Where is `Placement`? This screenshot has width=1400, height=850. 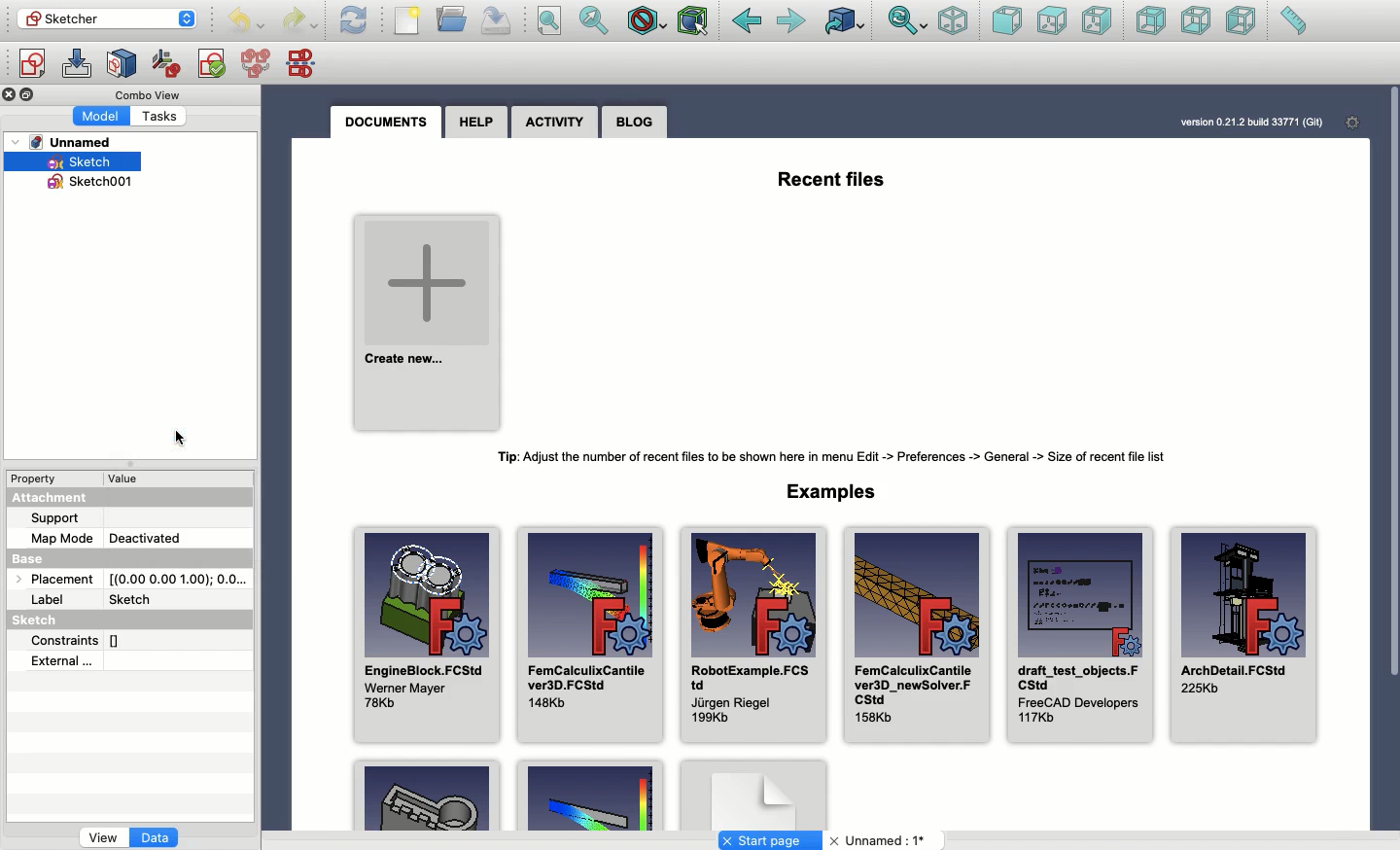
Placement is located at coordinates (51, 578).